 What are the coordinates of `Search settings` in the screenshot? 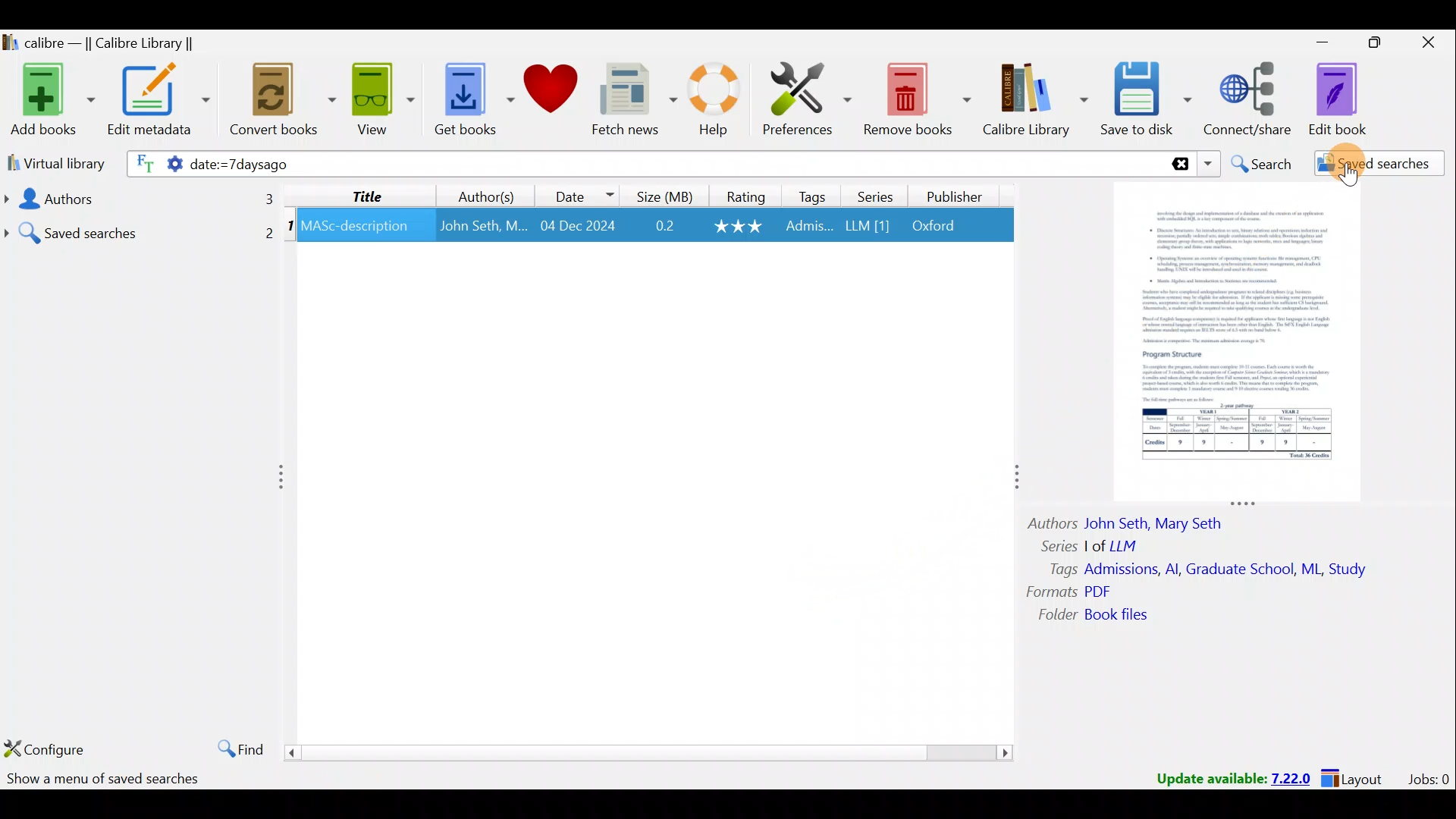 It's located at (153, 166).